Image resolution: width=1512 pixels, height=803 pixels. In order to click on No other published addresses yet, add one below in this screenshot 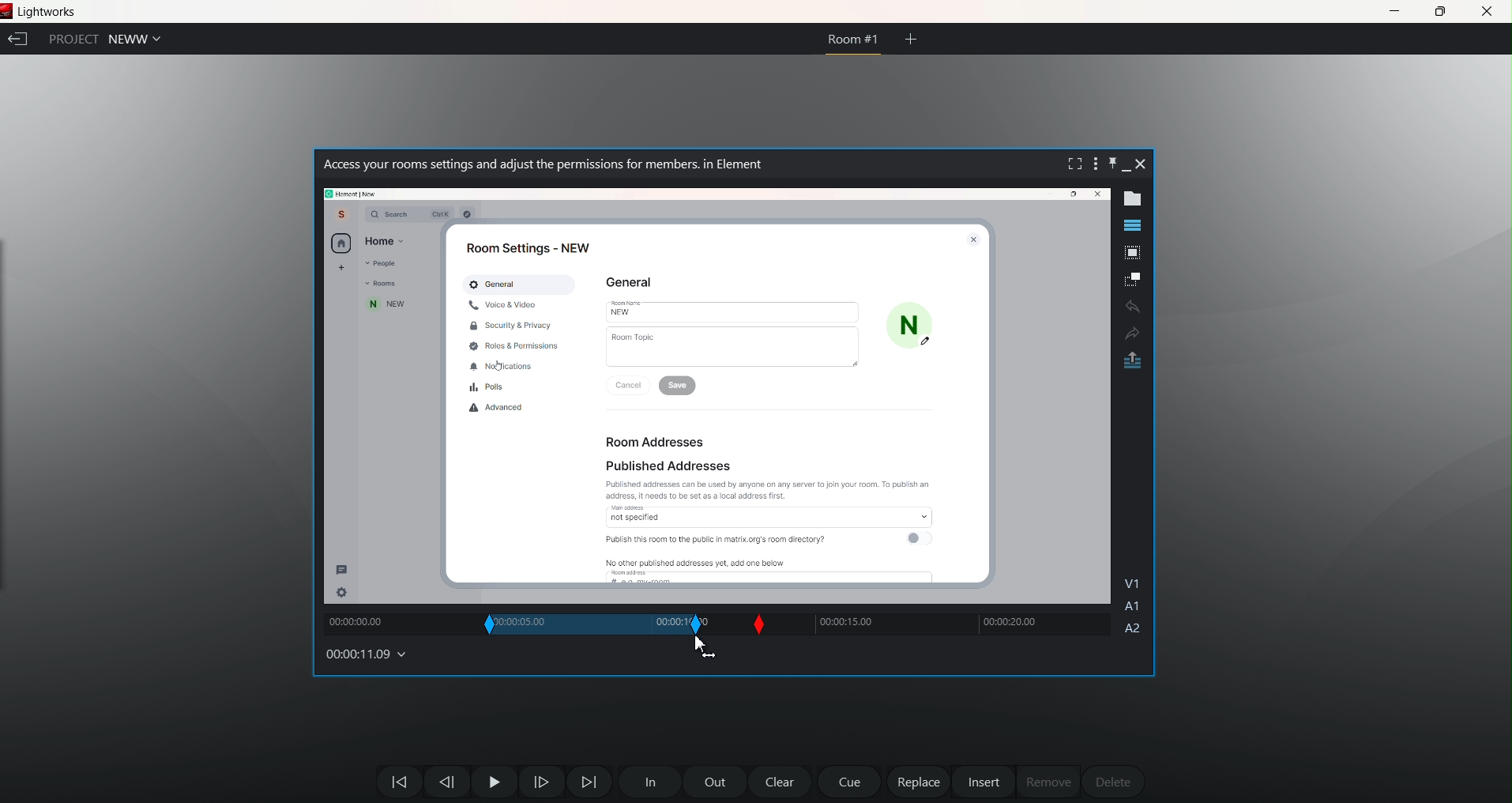, I will do `click(698, 564)`.